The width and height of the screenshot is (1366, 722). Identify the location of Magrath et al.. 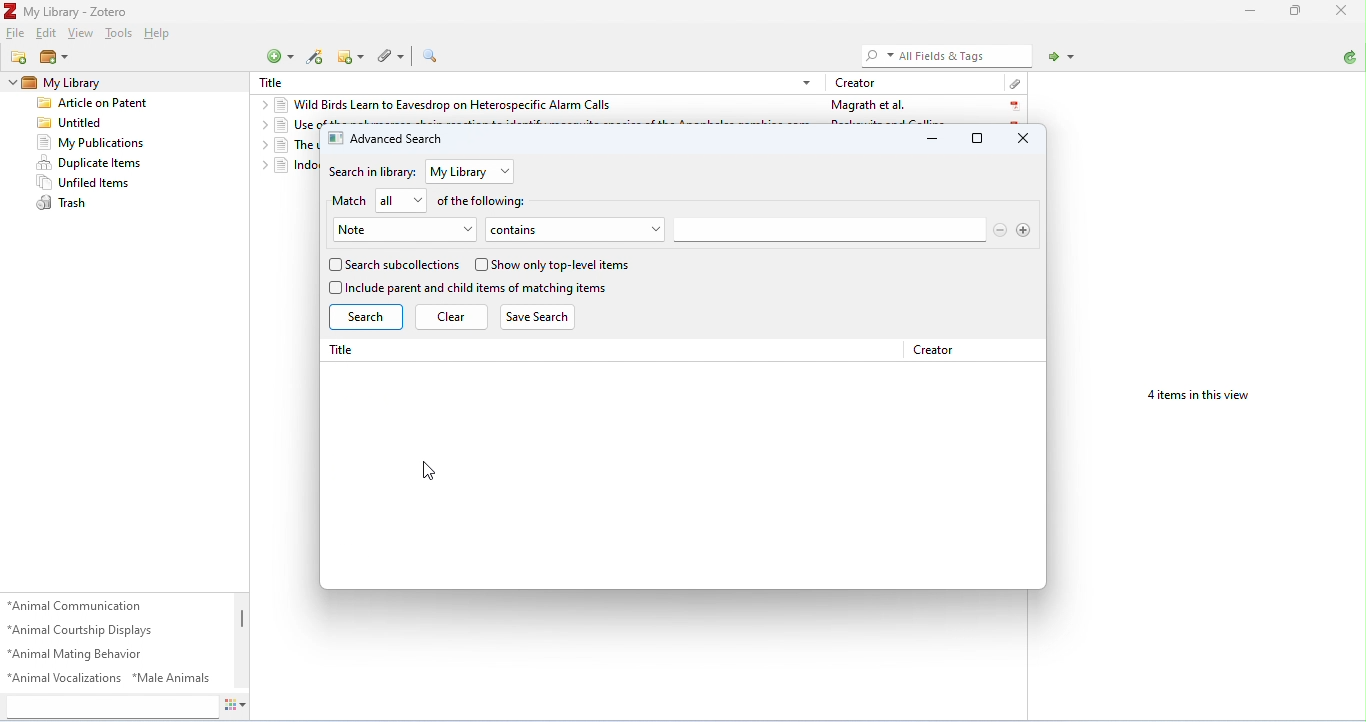
(868, 105).